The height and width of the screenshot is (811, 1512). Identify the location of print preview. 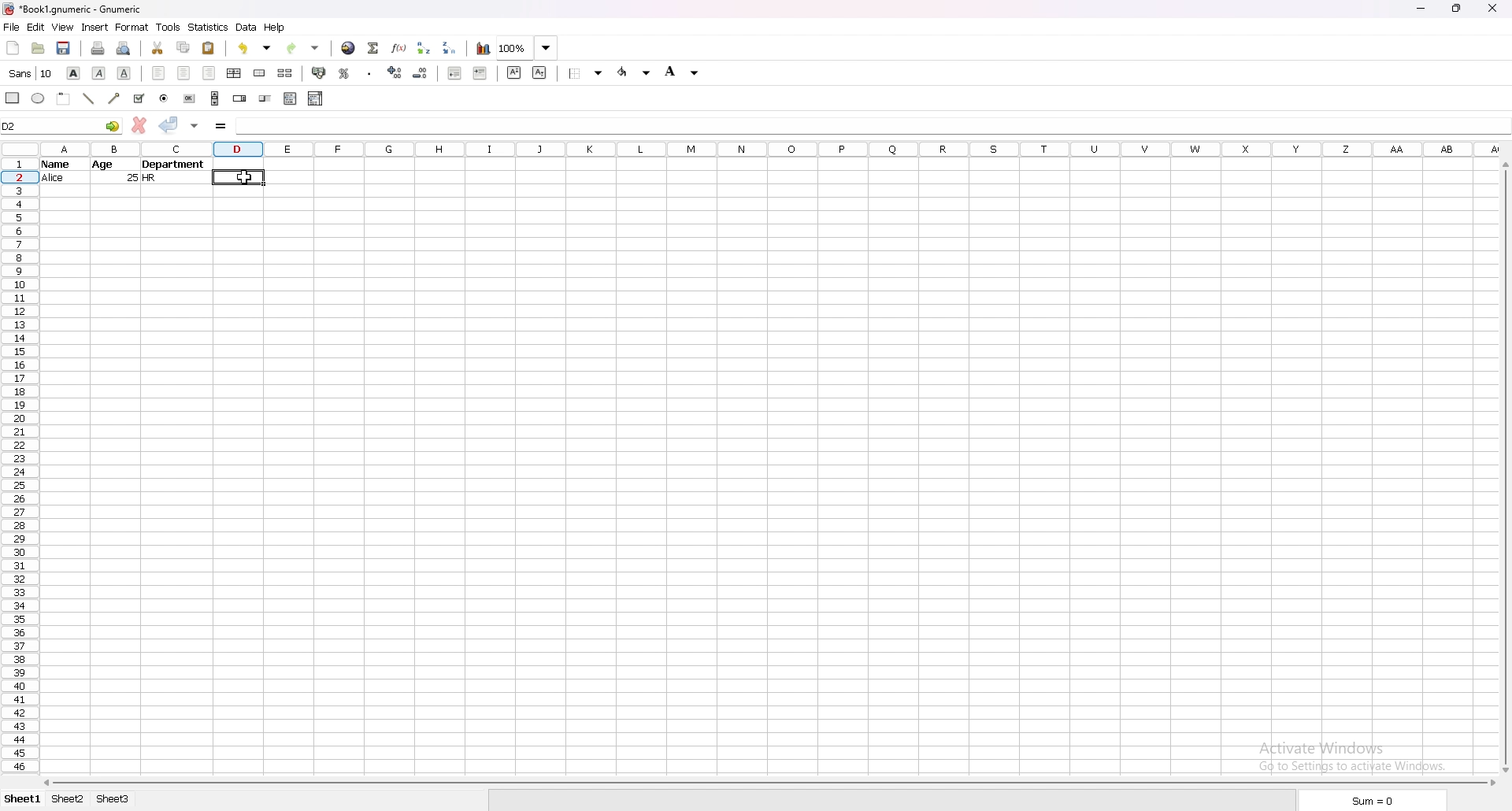
(125, 48).